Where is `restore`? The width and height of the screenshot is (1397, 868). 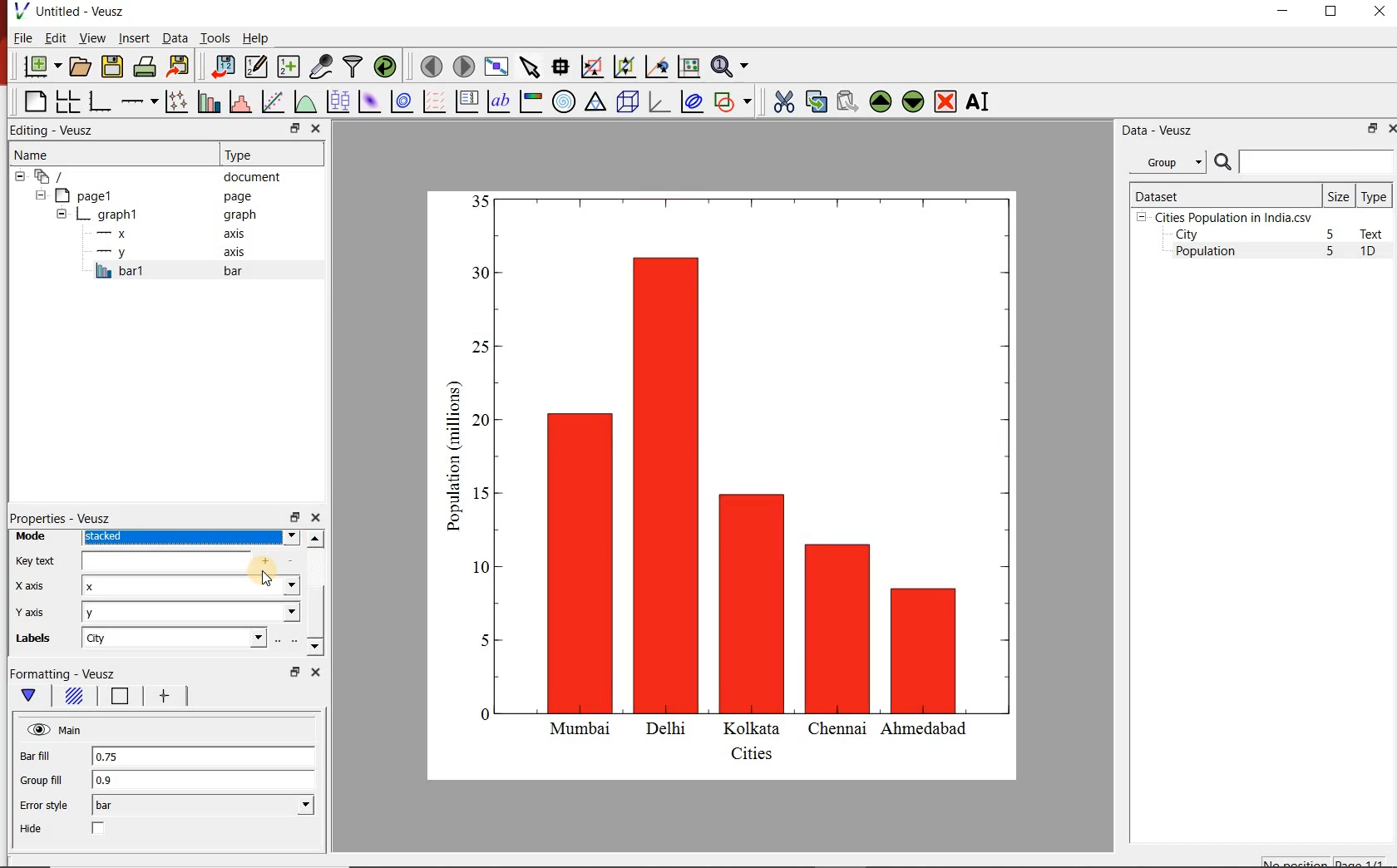
restore is located at coordinates (294, 672).